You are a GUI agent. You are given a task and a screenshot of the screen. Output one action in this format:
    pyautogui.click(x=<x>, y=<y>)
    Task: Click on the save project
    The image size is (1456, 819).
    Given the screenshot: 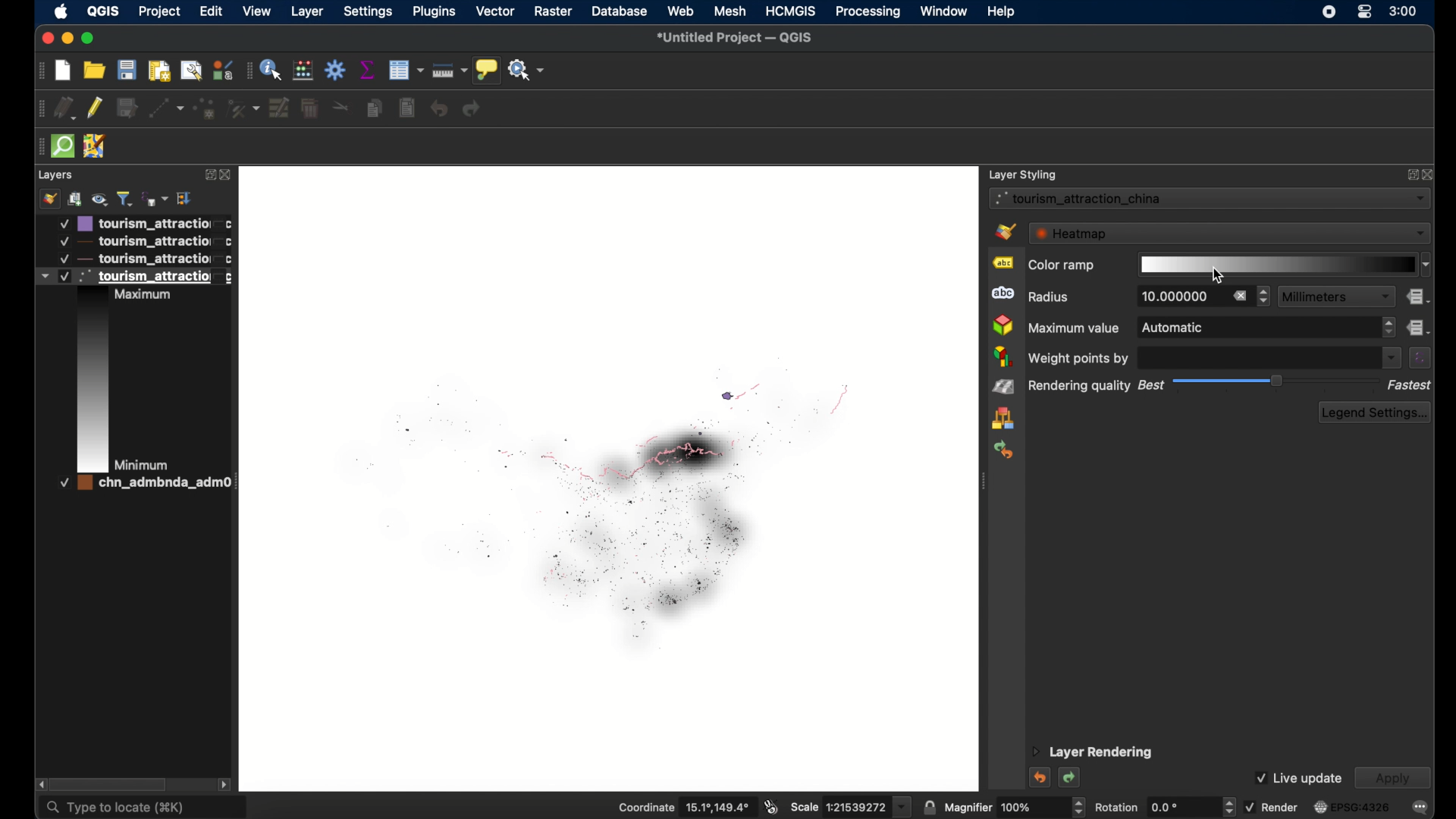 What is the action you would take?
    pyautogui.click(x=128, y=70)
    